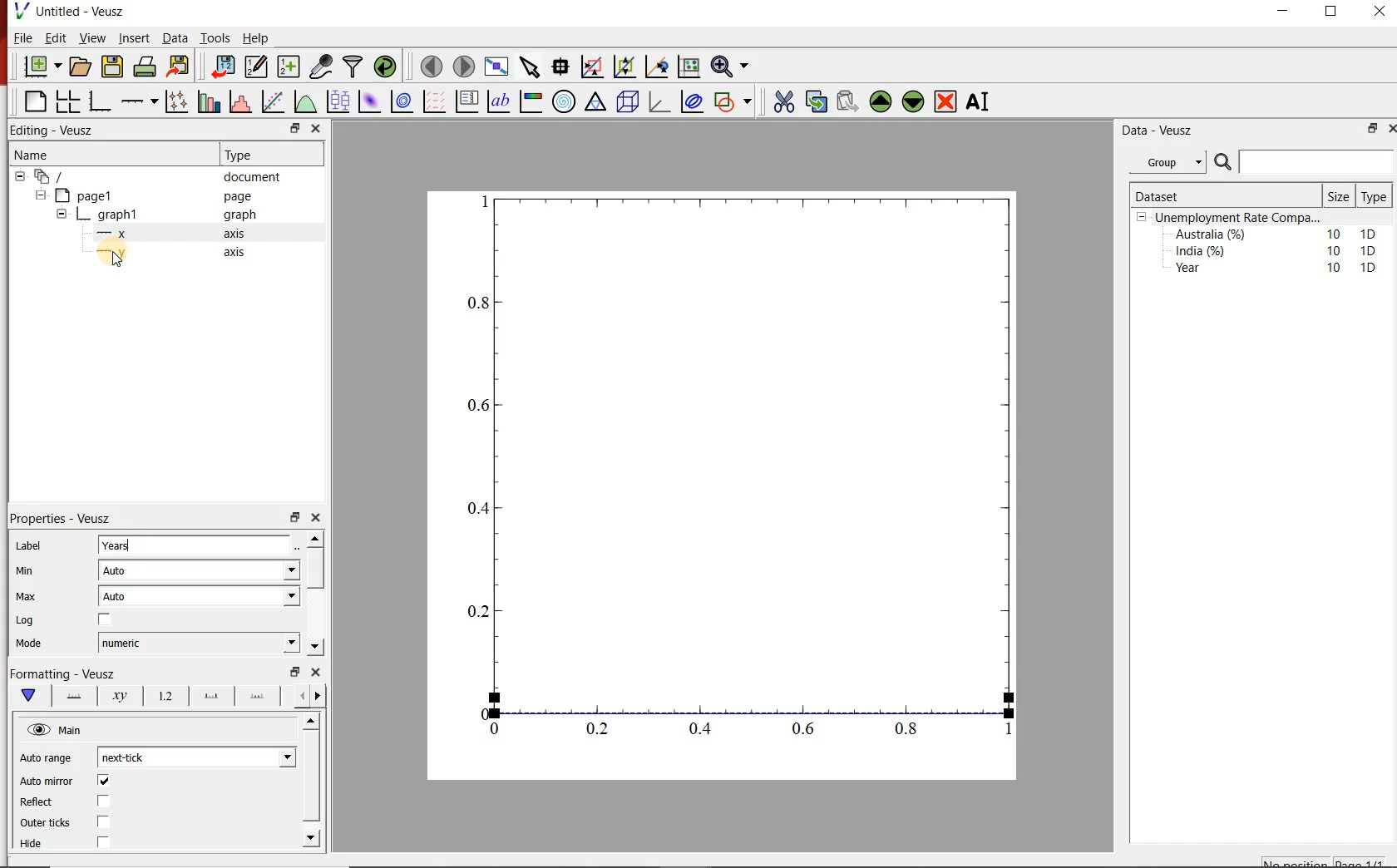 The image size is (1397, 868). What do you see at coordinates (1373, 197) in the screenshot?
I see `Type` at bounding box center [1373, 197].